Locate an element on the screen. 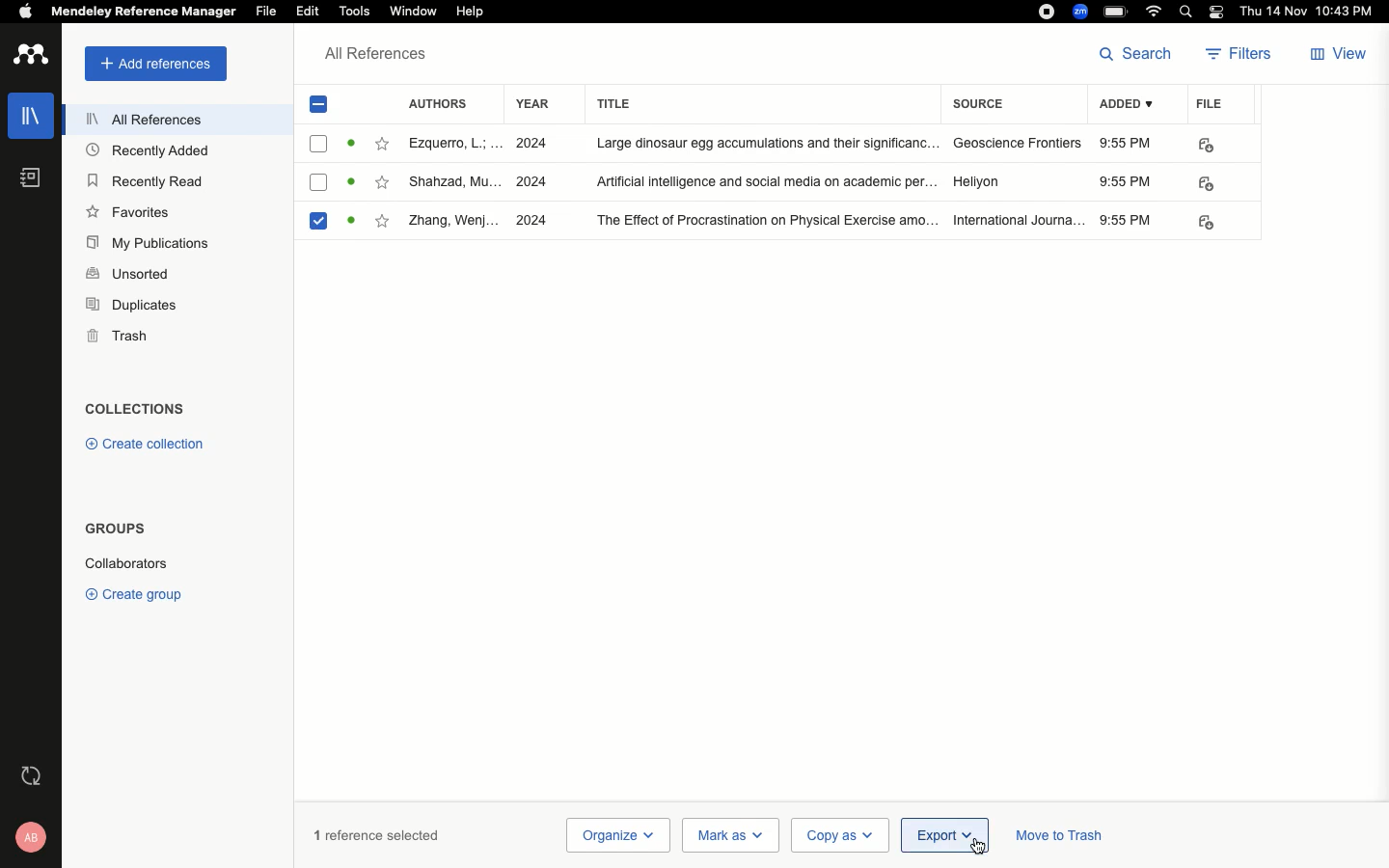  Search is located at coordinates (1188, 12).